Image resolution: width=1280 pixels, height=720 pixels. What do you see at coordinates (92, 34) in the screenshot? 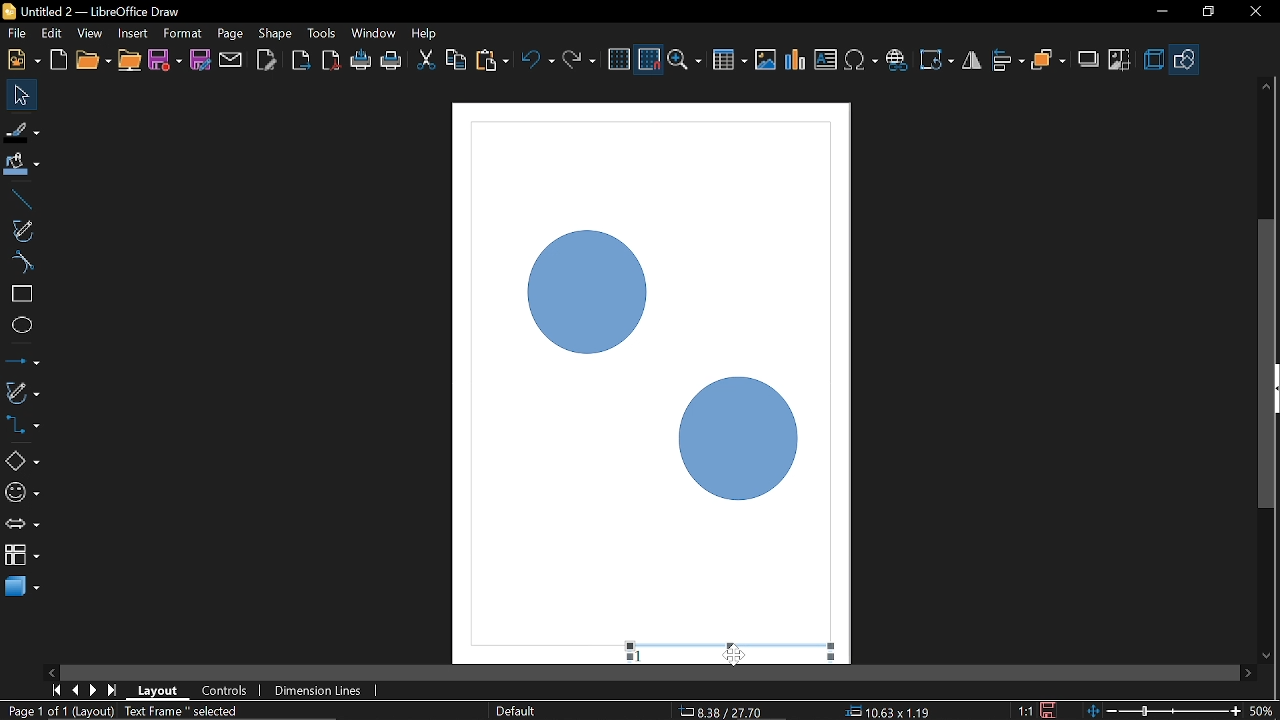
I see `View` at bounding box center [92, 34].